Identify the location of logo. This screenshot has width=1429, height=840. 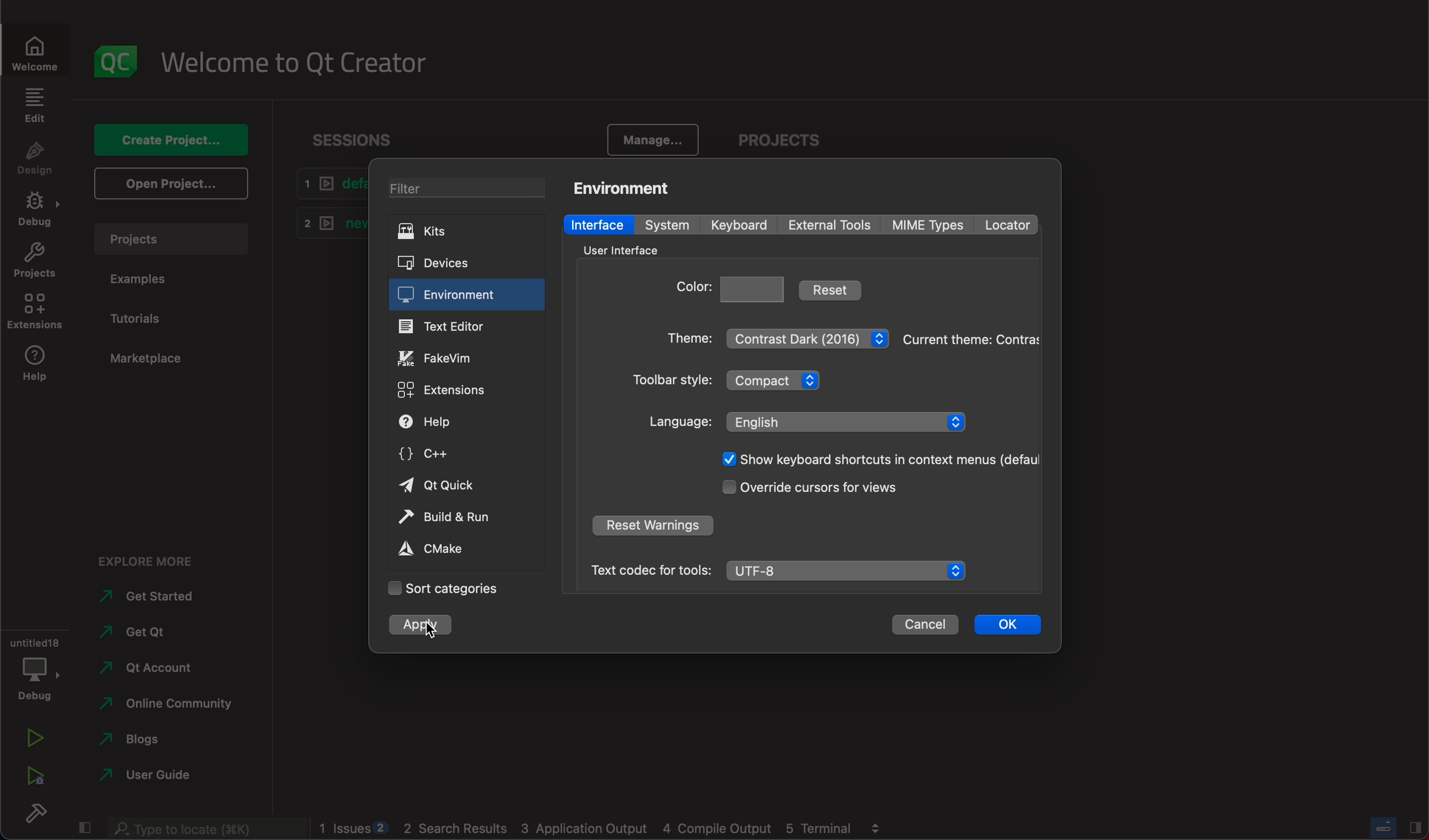
(111, 59).